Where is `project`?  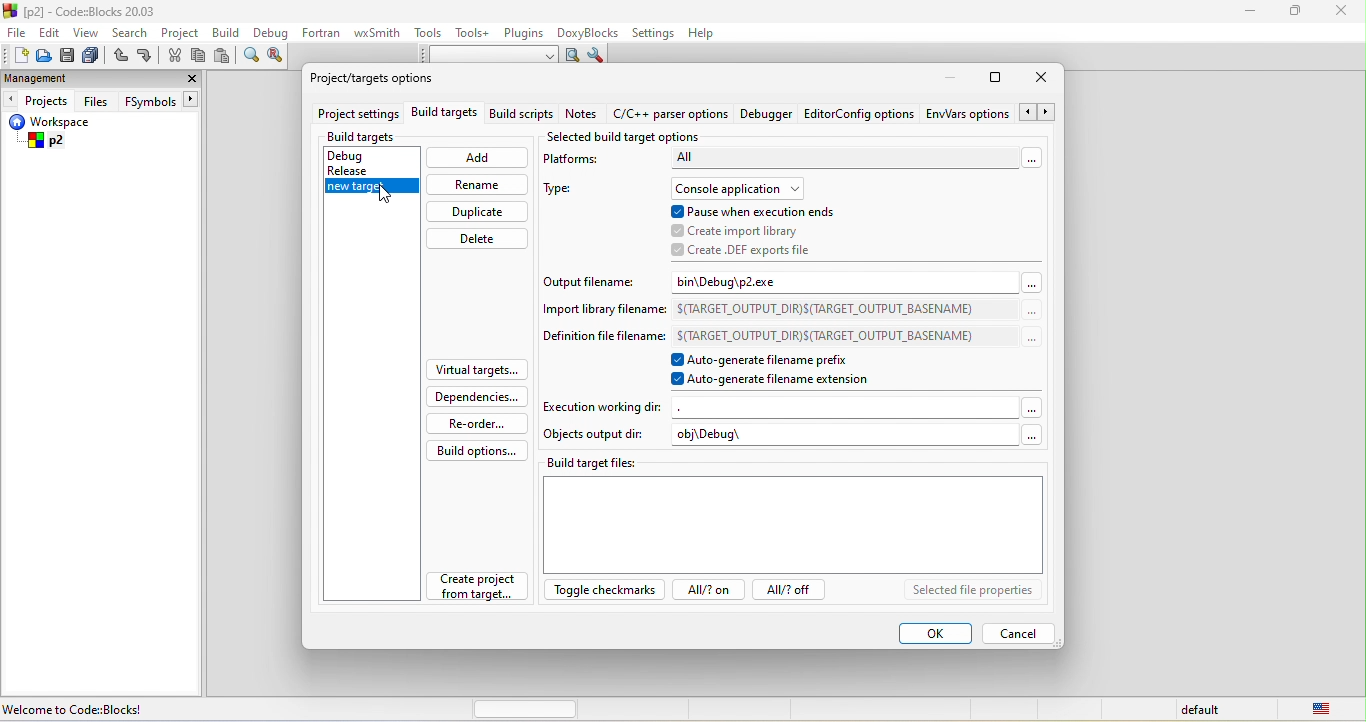 project is located at coordinates (184, 33).